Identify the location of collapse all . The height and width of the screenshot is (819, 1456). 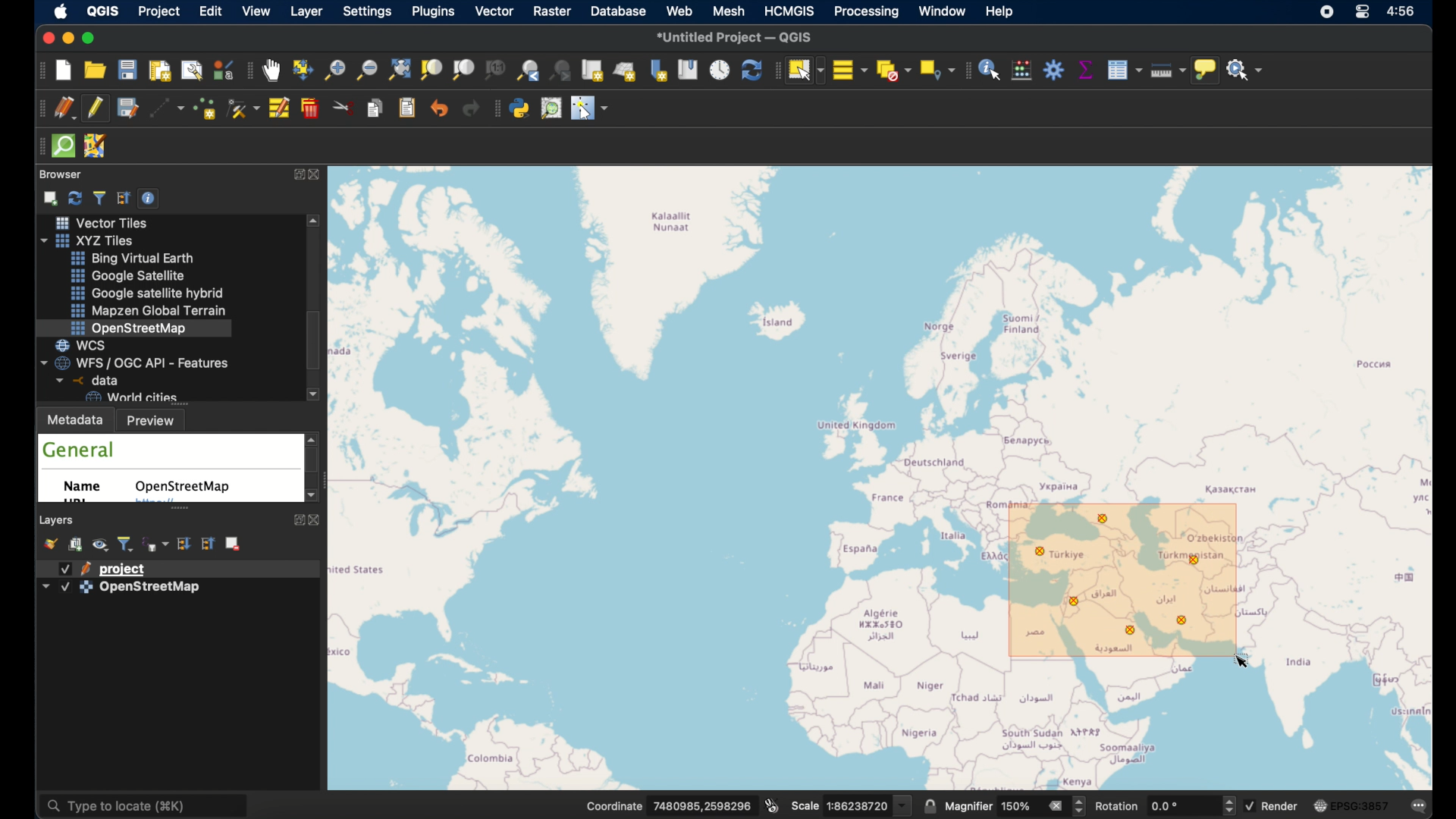
(124, 196).